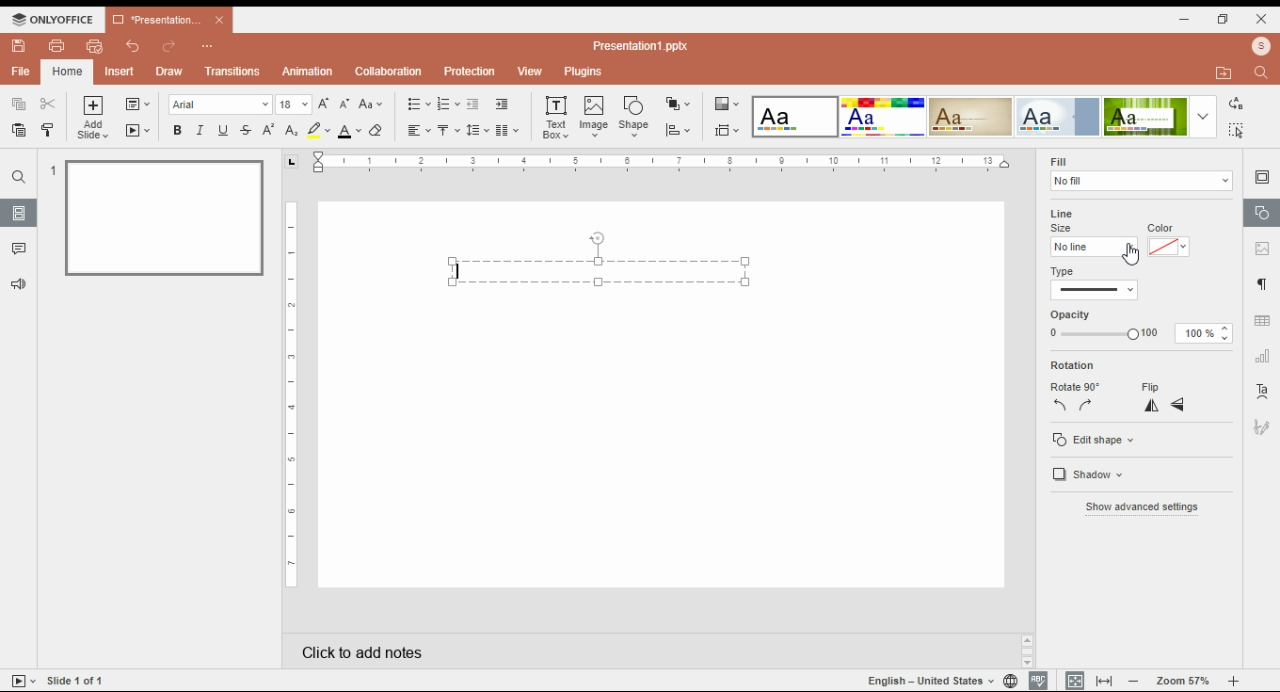 The height and width of the screenshot is (692, 1280). What do you see at coordinates (1028, 663) in the screenshot?
I see `scroll down` at bounding box center [1028, 663].